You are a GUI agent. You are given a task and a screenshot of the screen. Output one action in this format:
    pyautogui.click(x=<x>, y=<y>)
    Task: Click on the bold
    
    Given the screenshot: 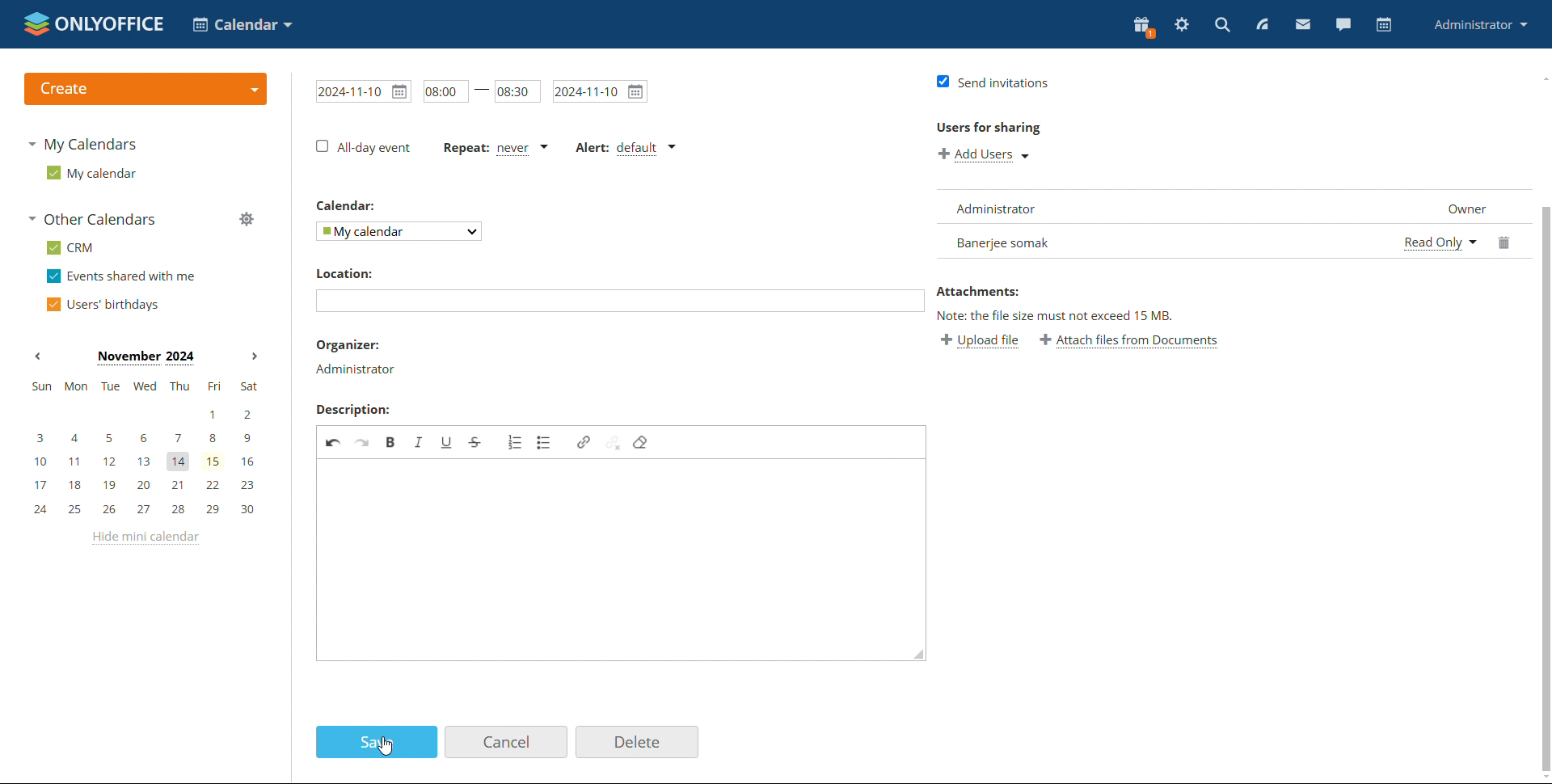 What is the action you would take?
    pyautogui.click(x=391, y=441)
    